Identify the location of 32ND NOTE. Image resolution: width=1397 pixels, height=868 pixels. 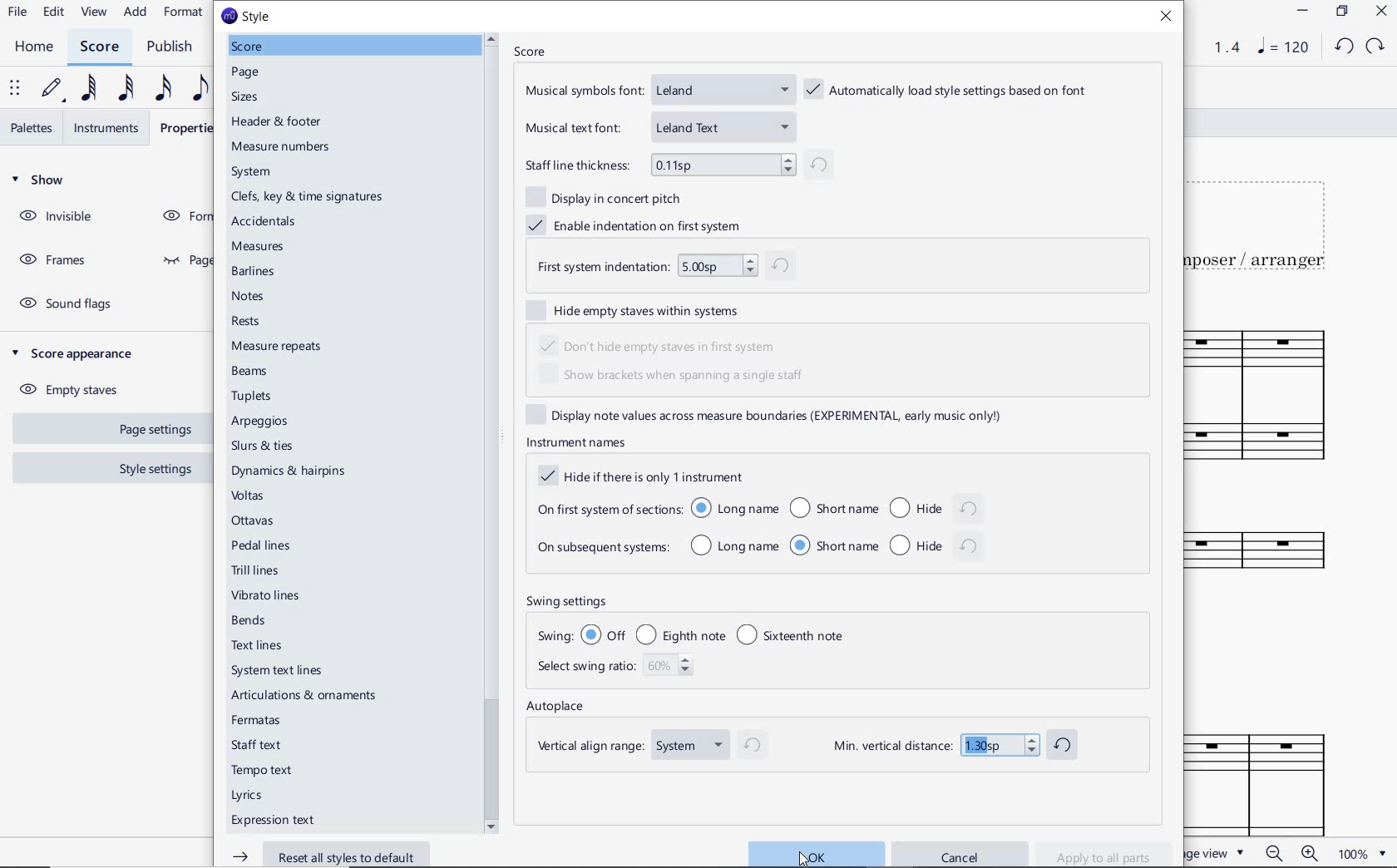
(129, 88).